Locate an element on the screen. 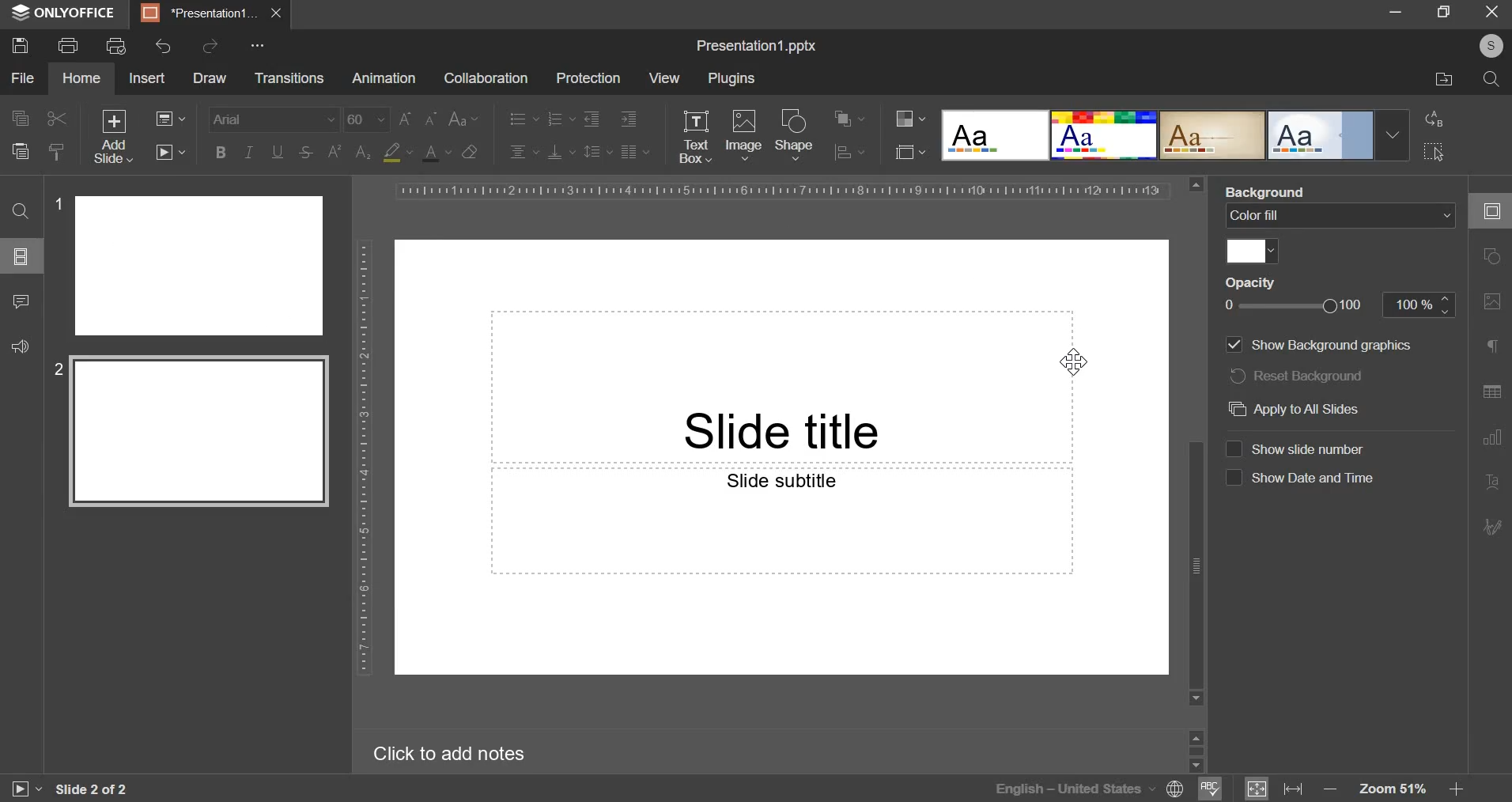 Image resolution: width=1512 pixels, height=802 pixels. change layout is located at coordinates (169, 118).